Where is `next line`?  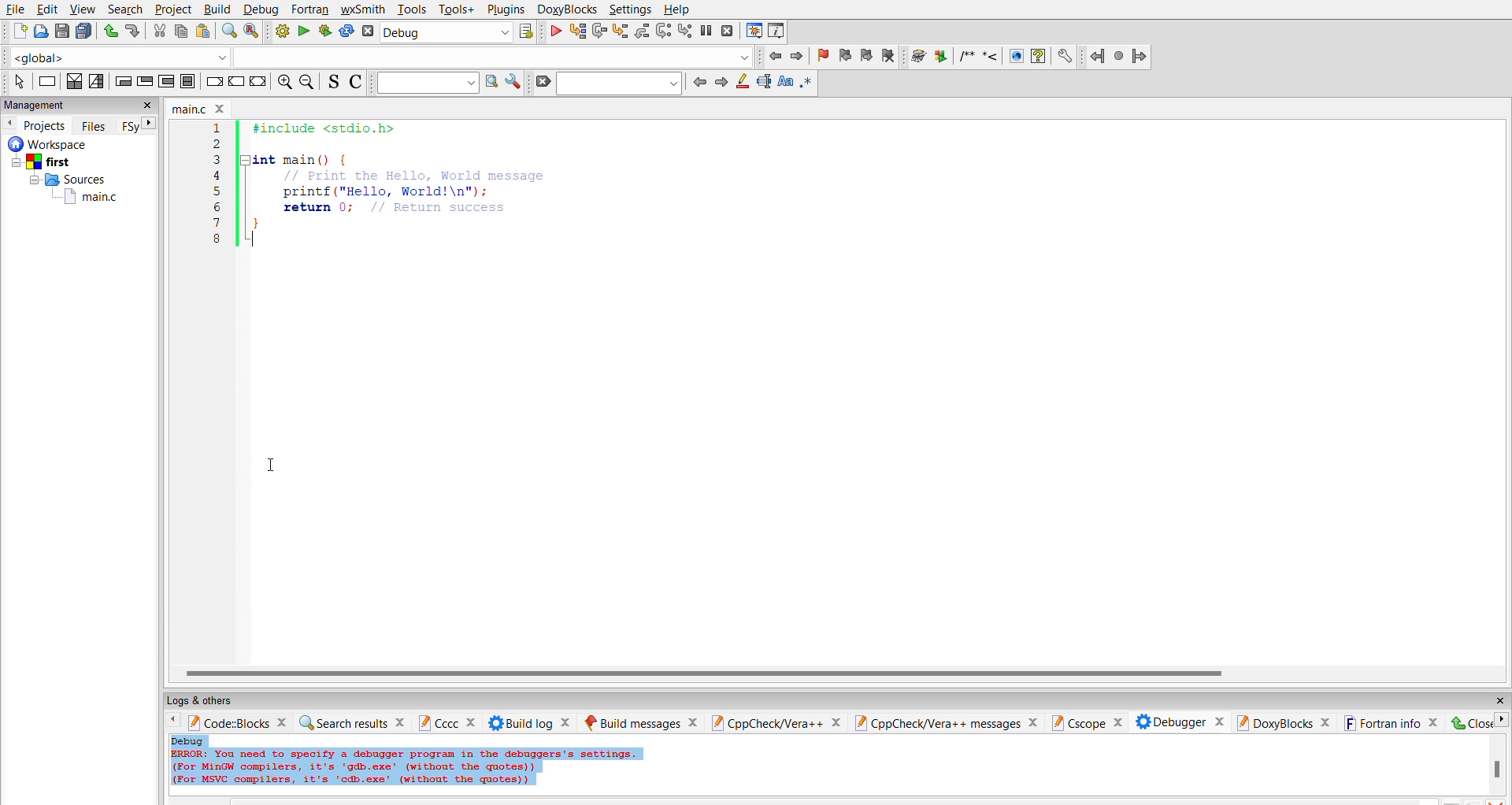
next line is located at coordinates (602, 32).